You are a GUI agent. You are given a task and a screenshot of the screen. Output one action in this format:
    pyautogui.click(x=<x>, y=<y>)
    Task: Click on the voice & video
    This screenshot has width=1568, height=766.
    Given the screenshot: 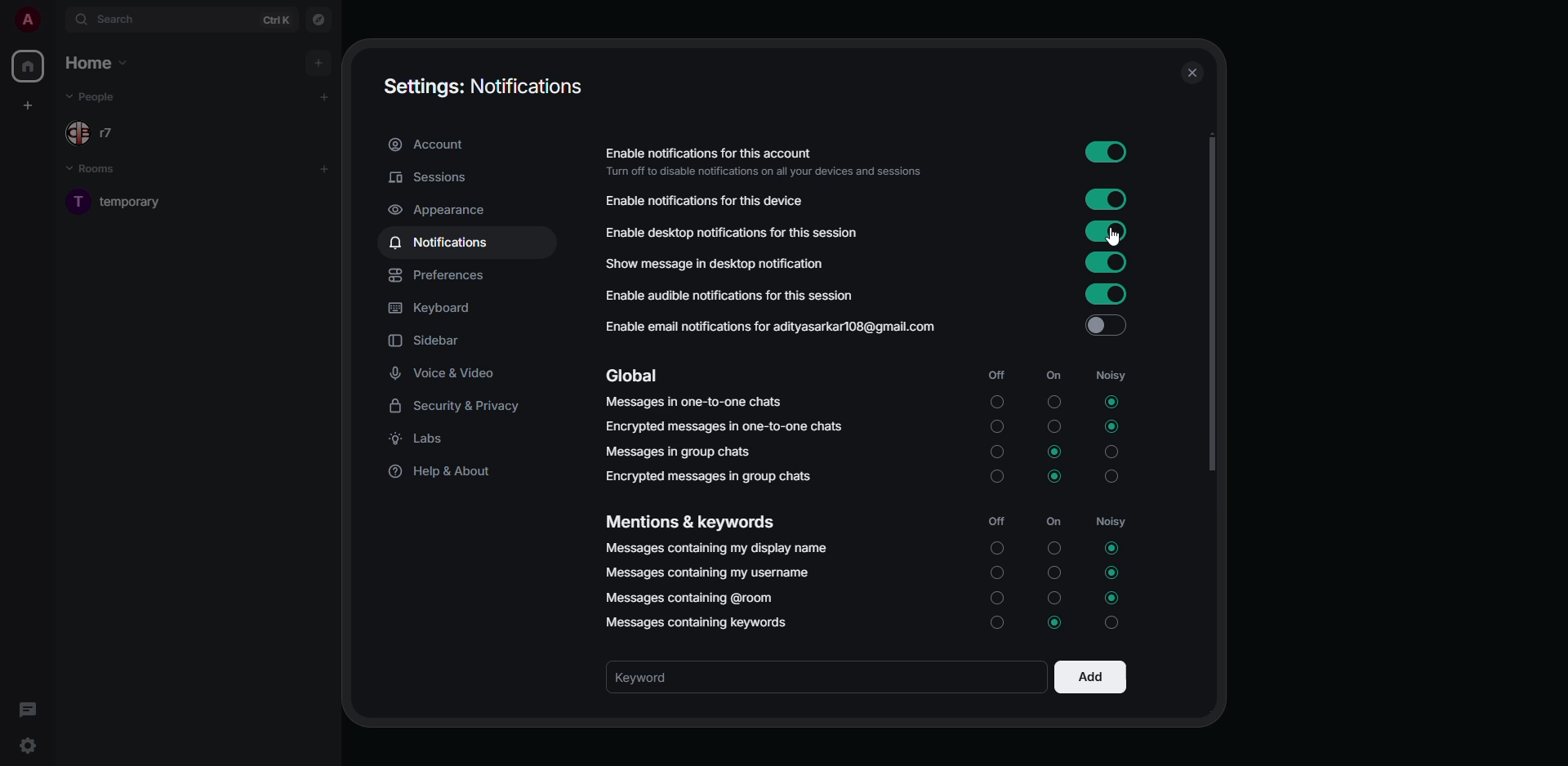 What is the action you would take?
    pyautogui.click(x=443, y=374)
    